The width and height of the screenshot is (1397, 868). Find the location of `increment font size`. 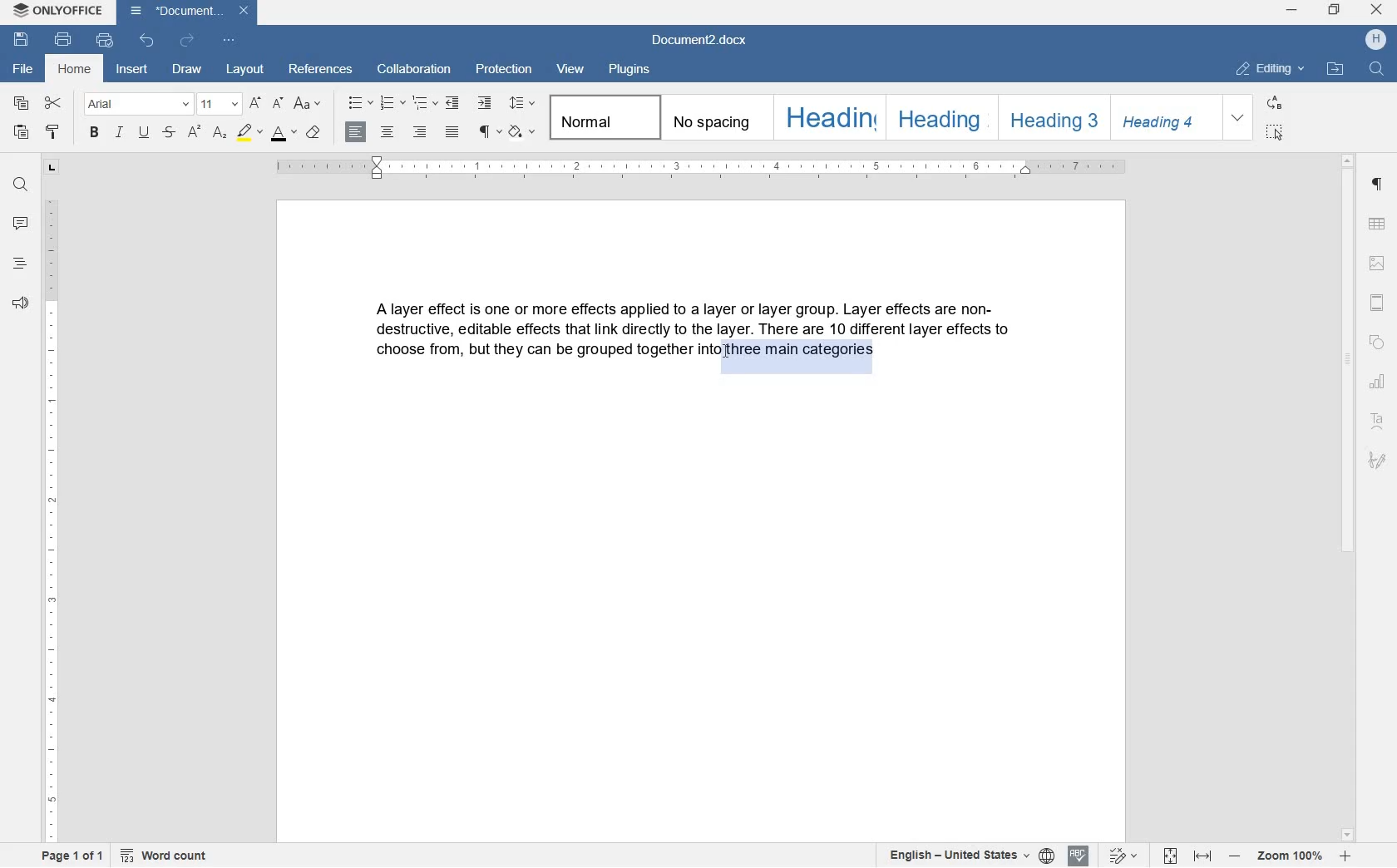

increment font size is located at coordinates (256, 102).